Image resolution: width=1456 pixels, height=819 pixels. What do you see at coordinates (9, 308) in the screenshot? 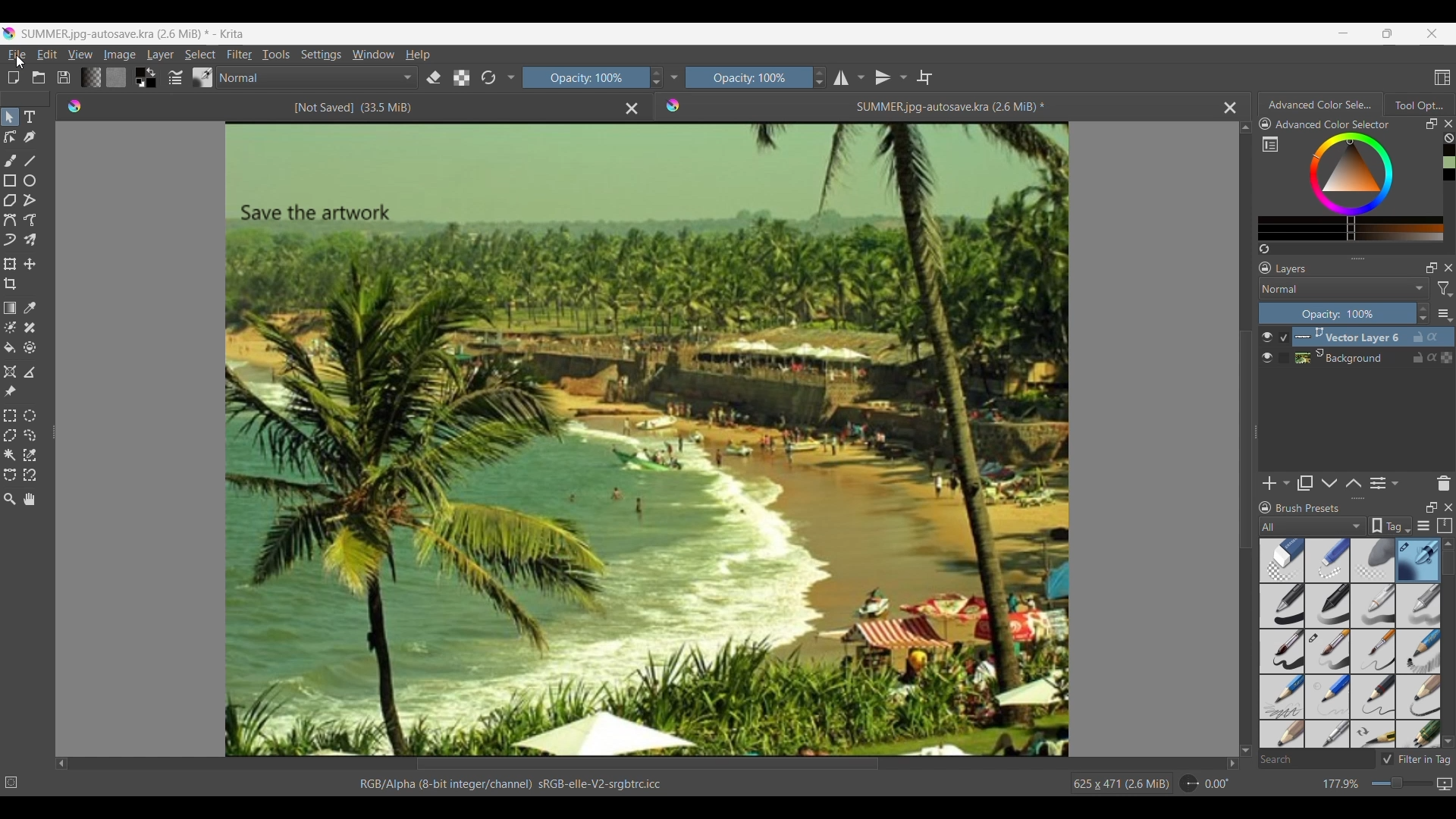
I see `Draw a gradient` at bounding box center [9, 308].